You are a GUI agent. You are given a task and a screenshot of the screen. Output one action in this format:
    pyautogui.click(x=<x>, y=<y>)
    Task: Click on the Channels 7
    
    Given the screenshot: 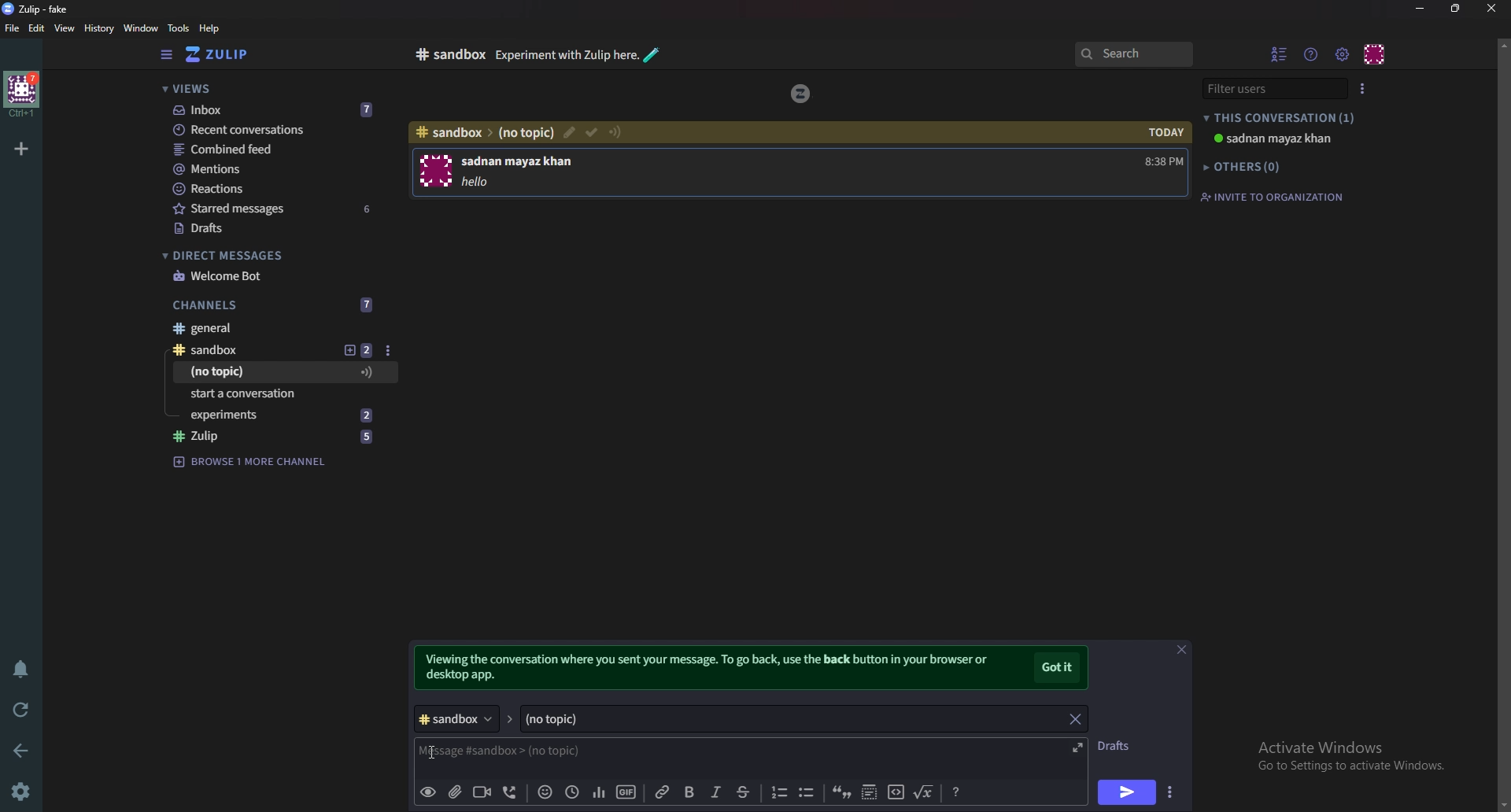 What is the action you would take?
    pyautogui.click(x=272, y=305)
    